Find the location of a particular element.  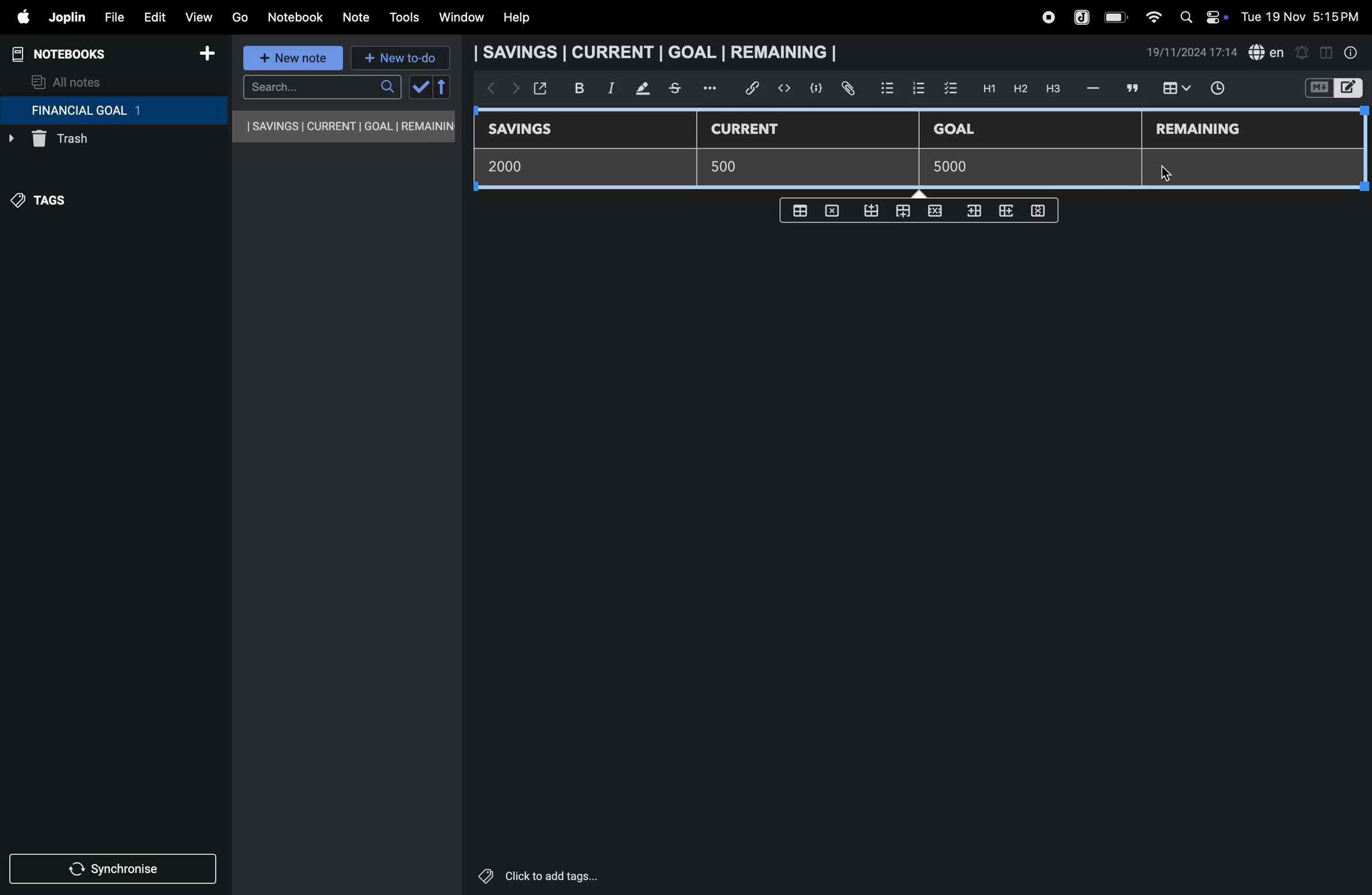

window is located at coordinates (460, 18).